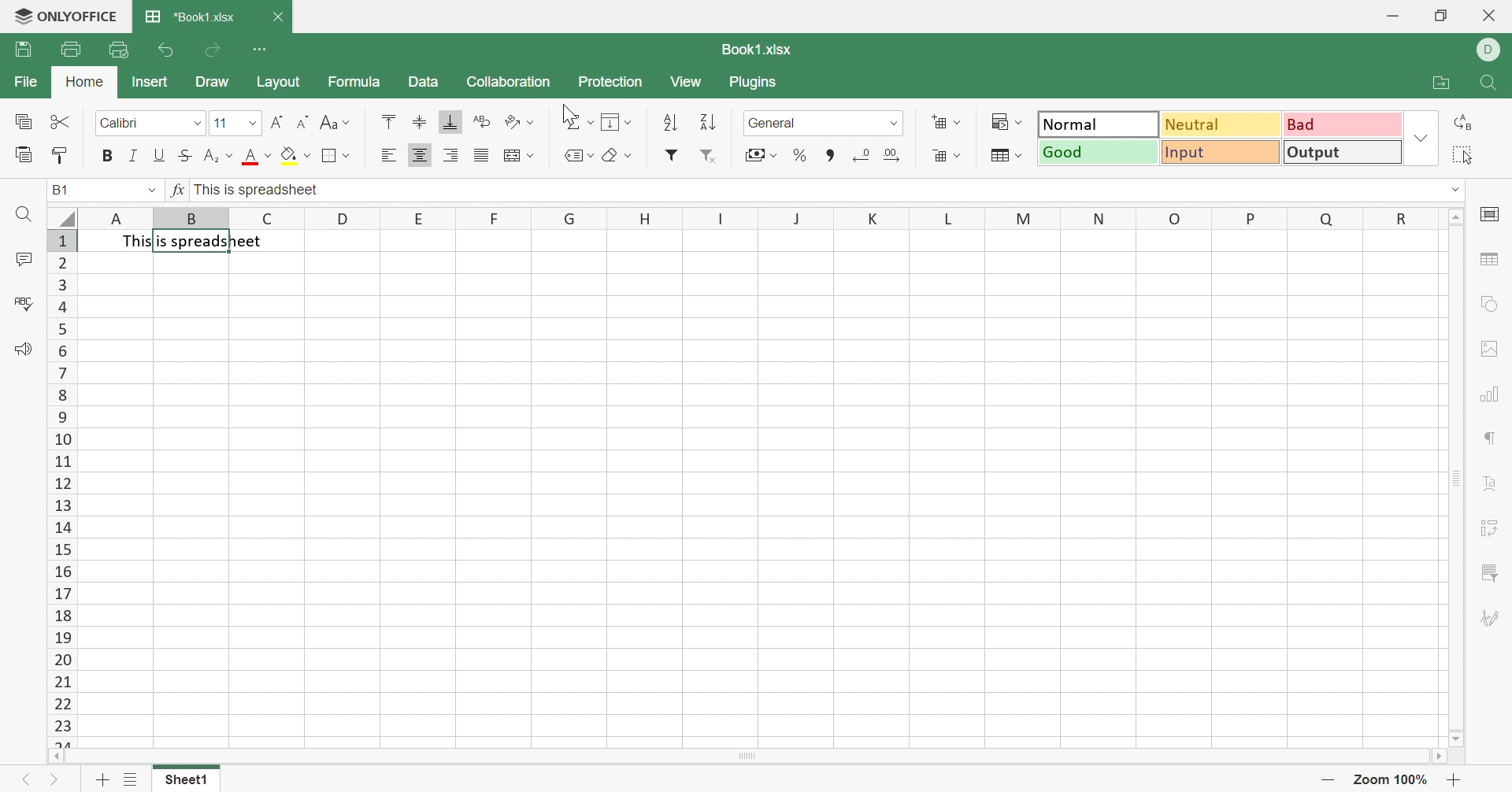 This screenshot has width=1512, height=792. I want to click on DELL, so click(1491, 49).